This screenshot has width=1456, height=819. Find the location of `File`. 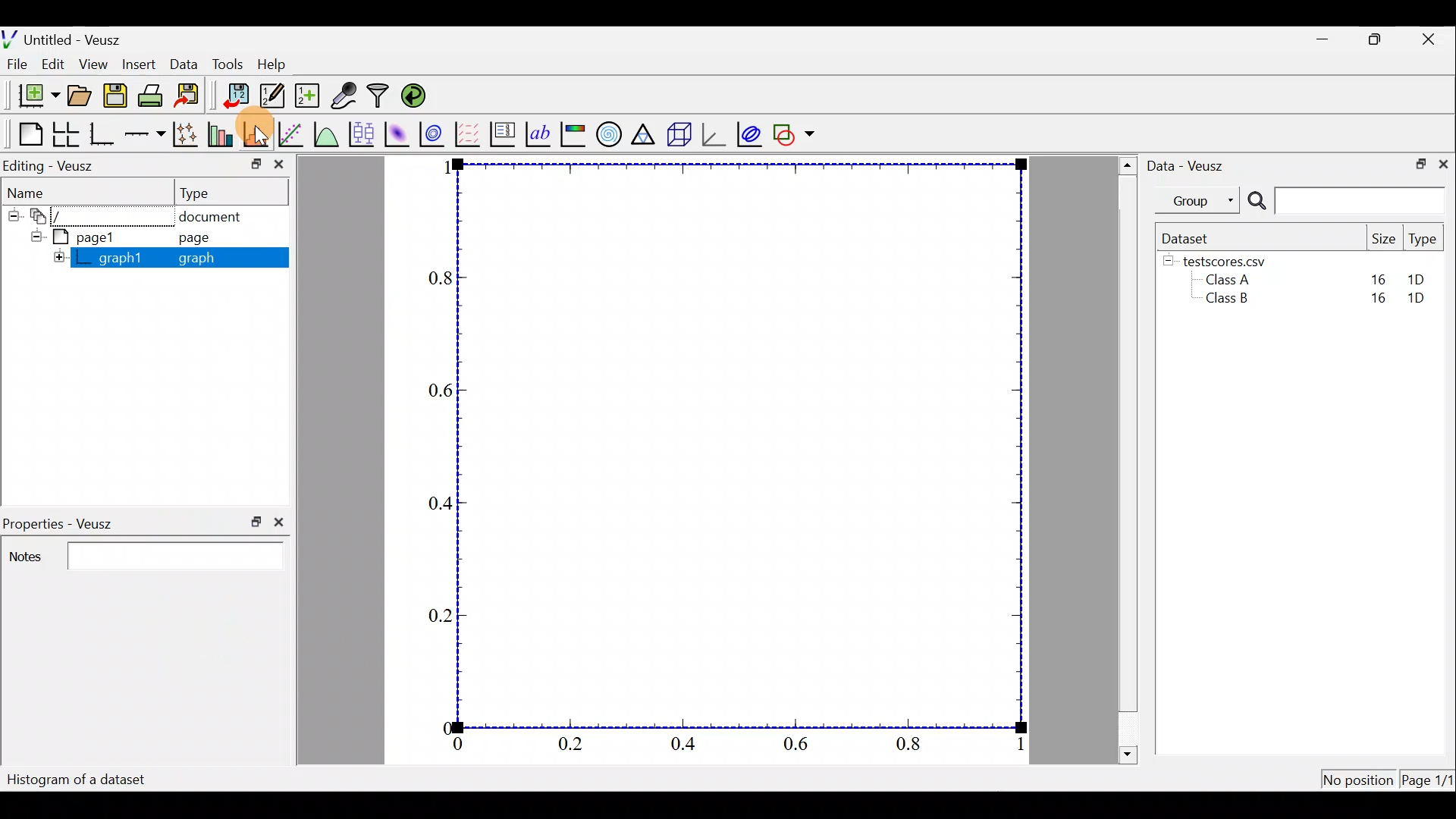

File is located at coordinates (19, 64).